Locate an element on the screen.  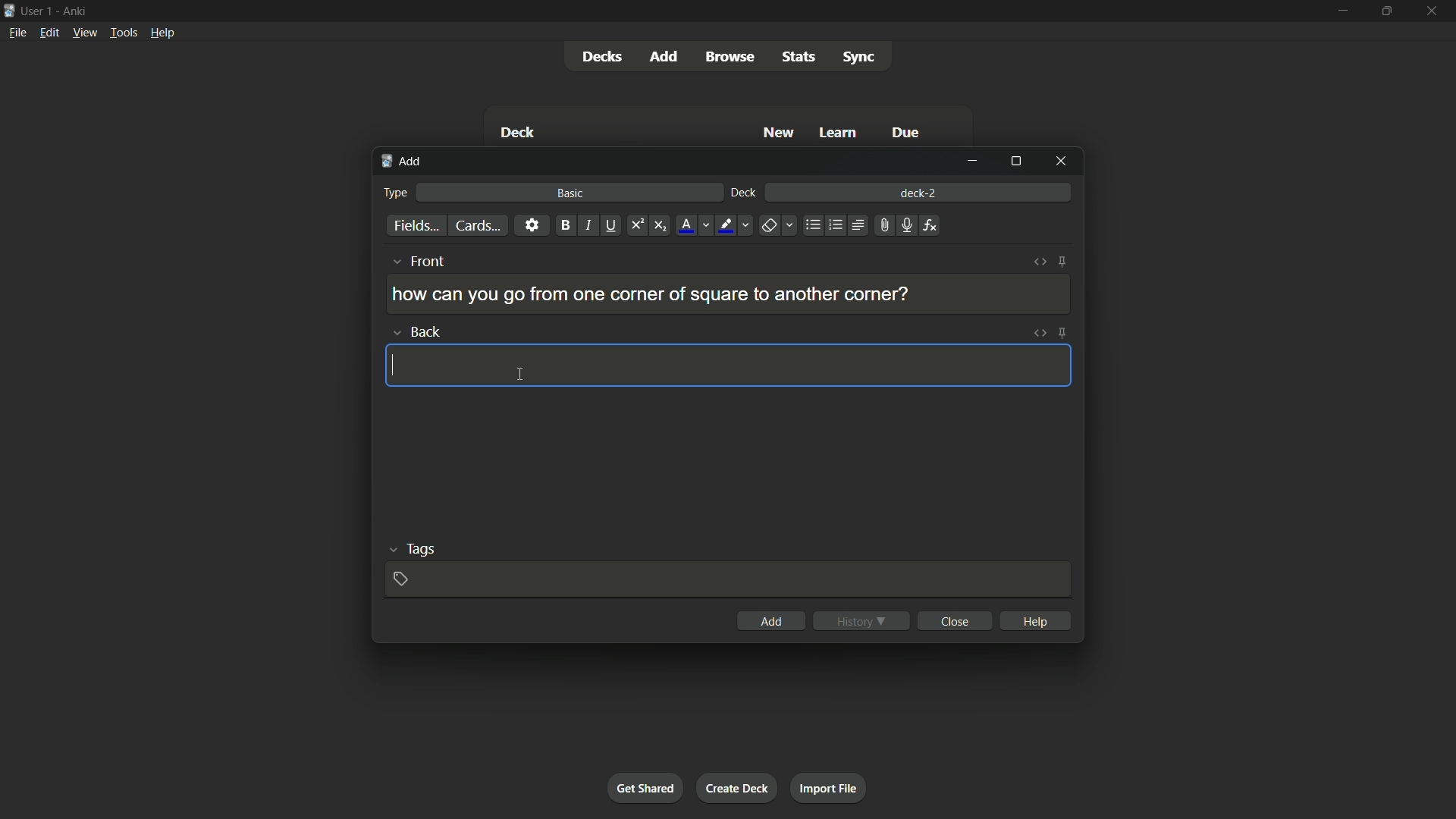
add is located at coordinates (403, 163).